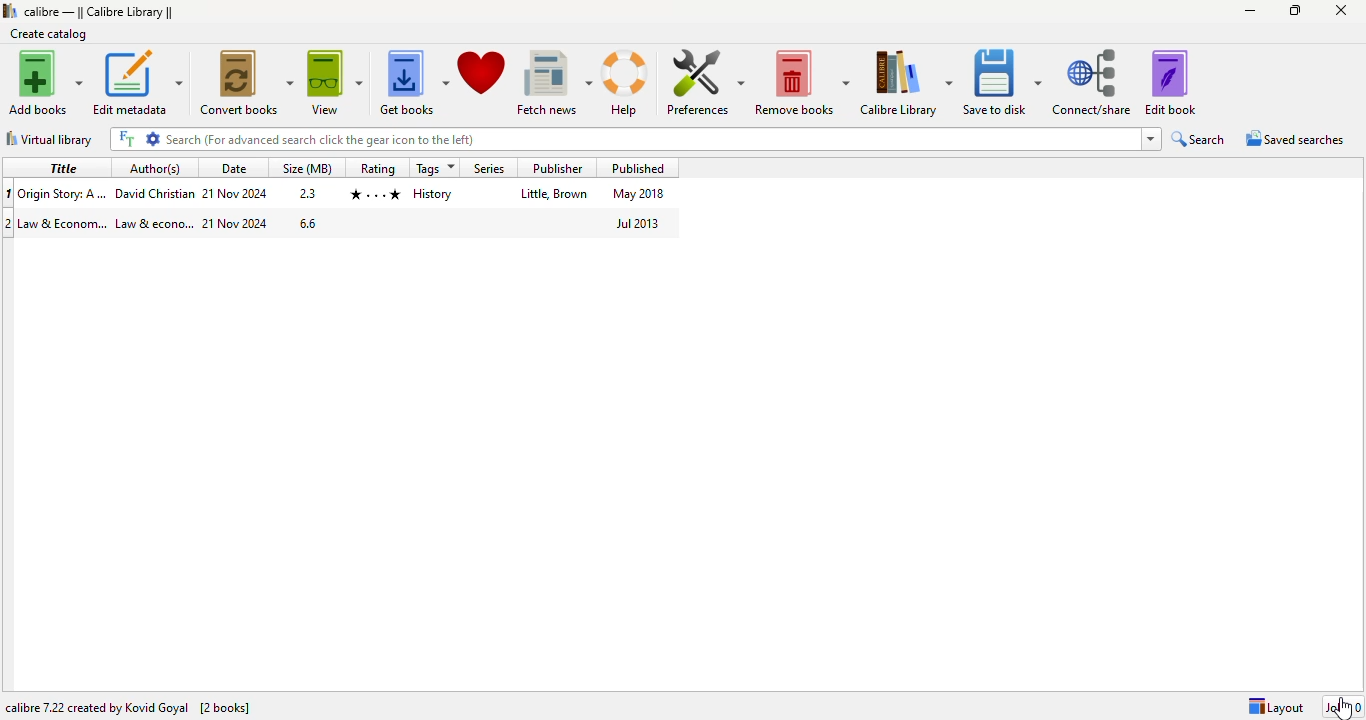 The image size is (1366, 720). What do you see at coordinates (1093, 82) in the screenshot?
I see `connect/share` at bounding box center [1093, 82].